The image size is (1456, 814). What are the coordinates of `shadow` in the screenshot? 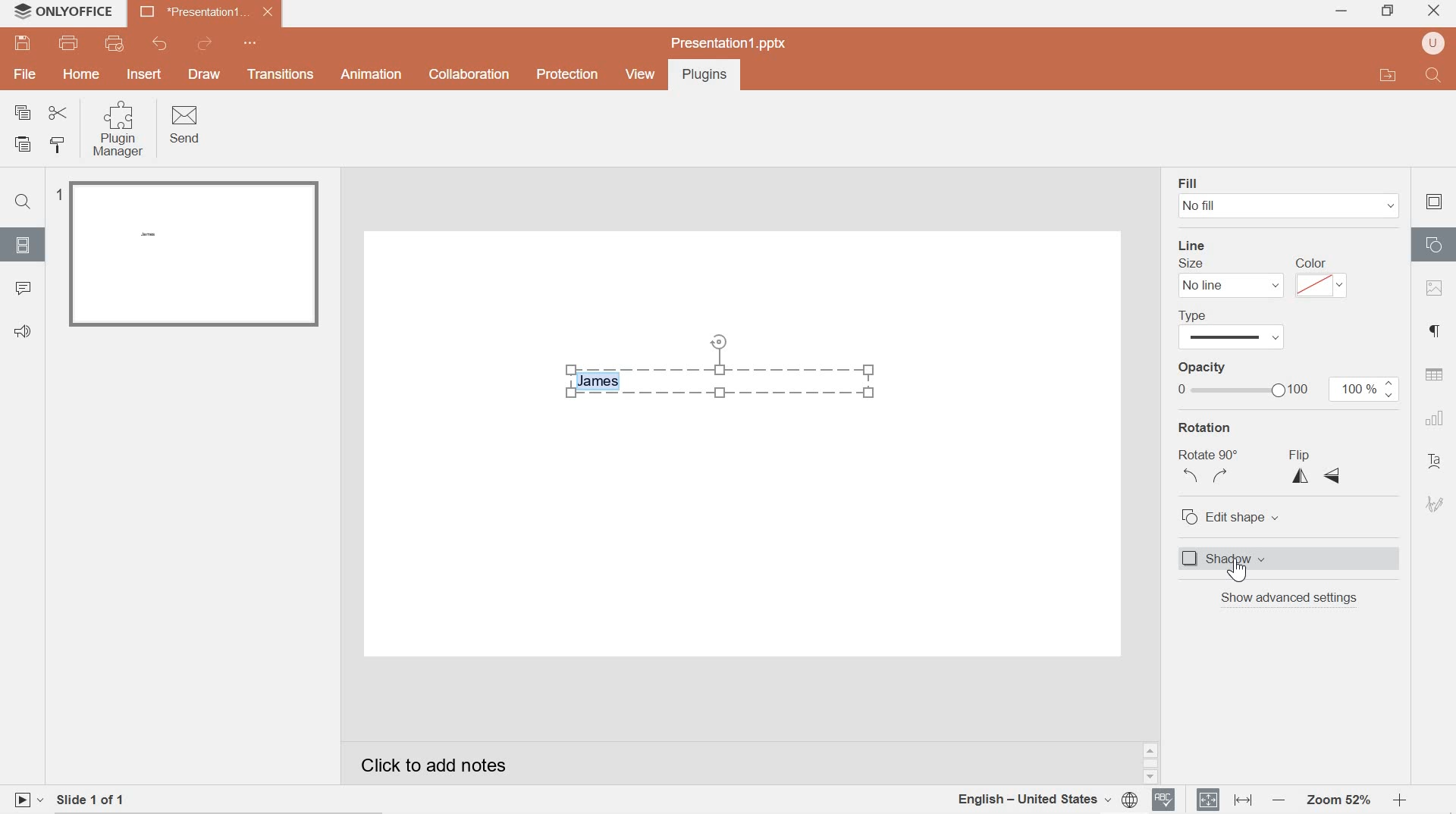 It's located at (1301, 560).